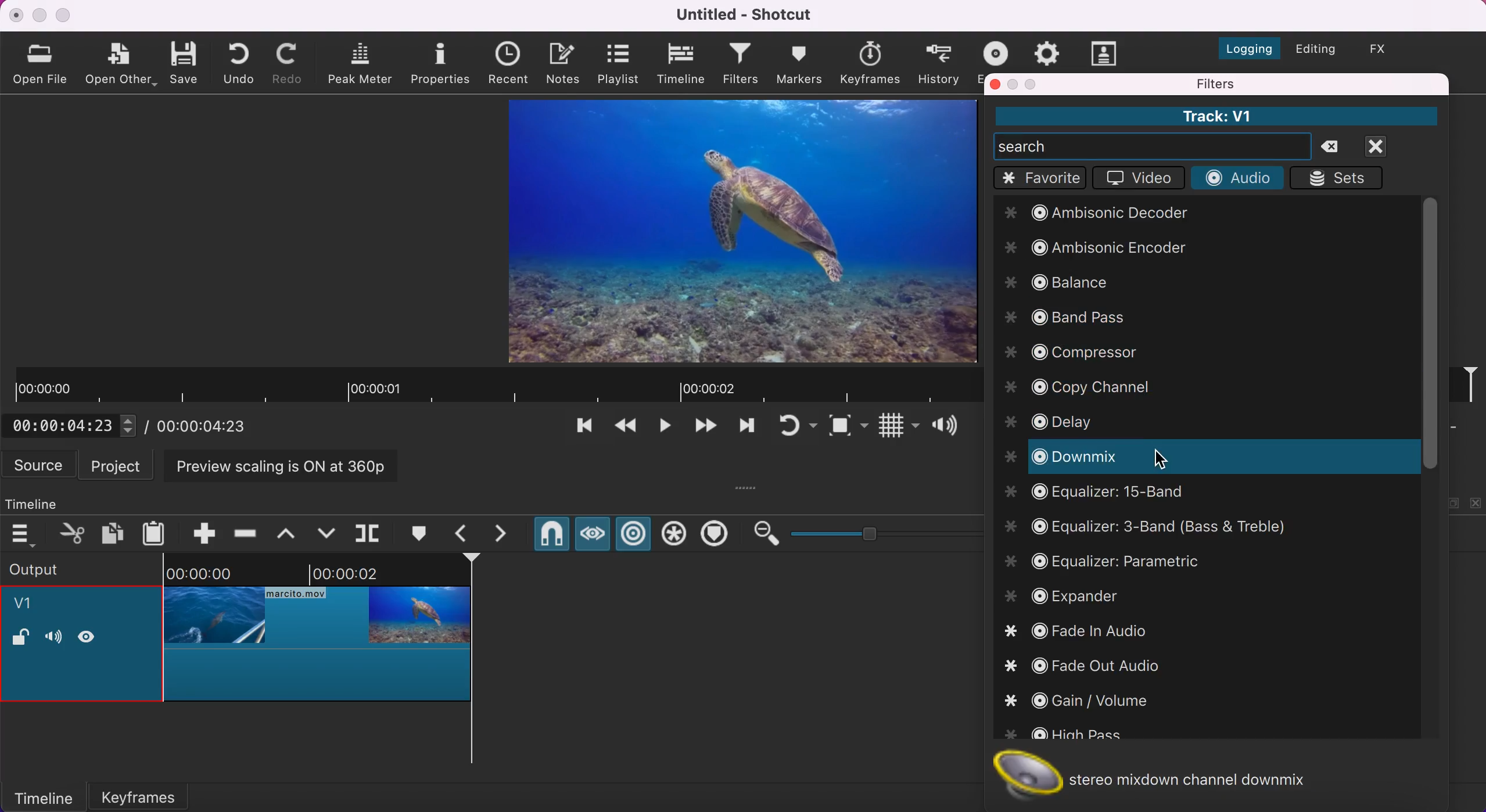 This screenshot has width=1486, height=812. Describe the element at coordinates (1014, 84) in the screenshot. I see `minimize` at that location.